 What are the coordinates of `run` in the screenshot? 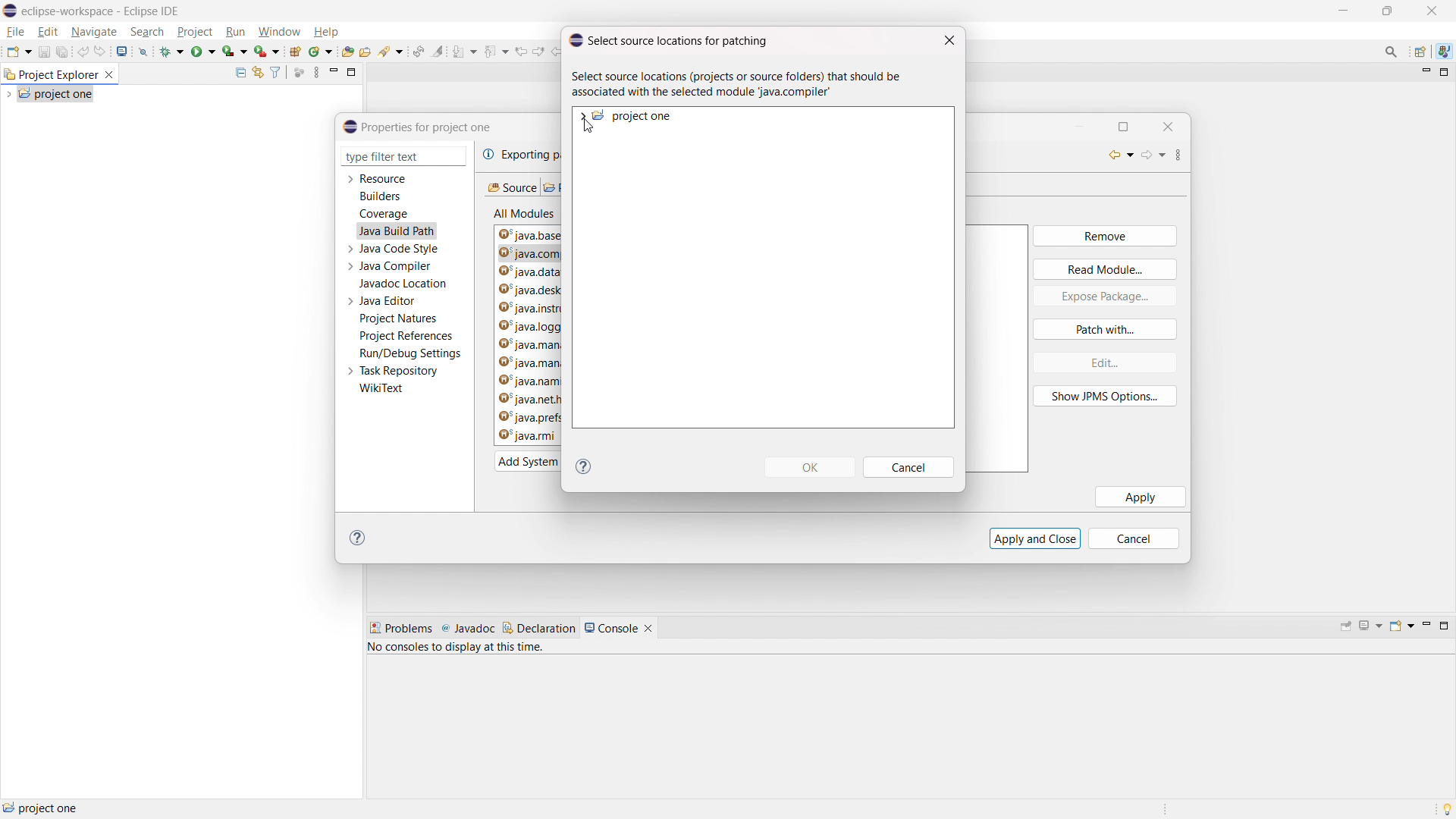 It's located at (203, 50).